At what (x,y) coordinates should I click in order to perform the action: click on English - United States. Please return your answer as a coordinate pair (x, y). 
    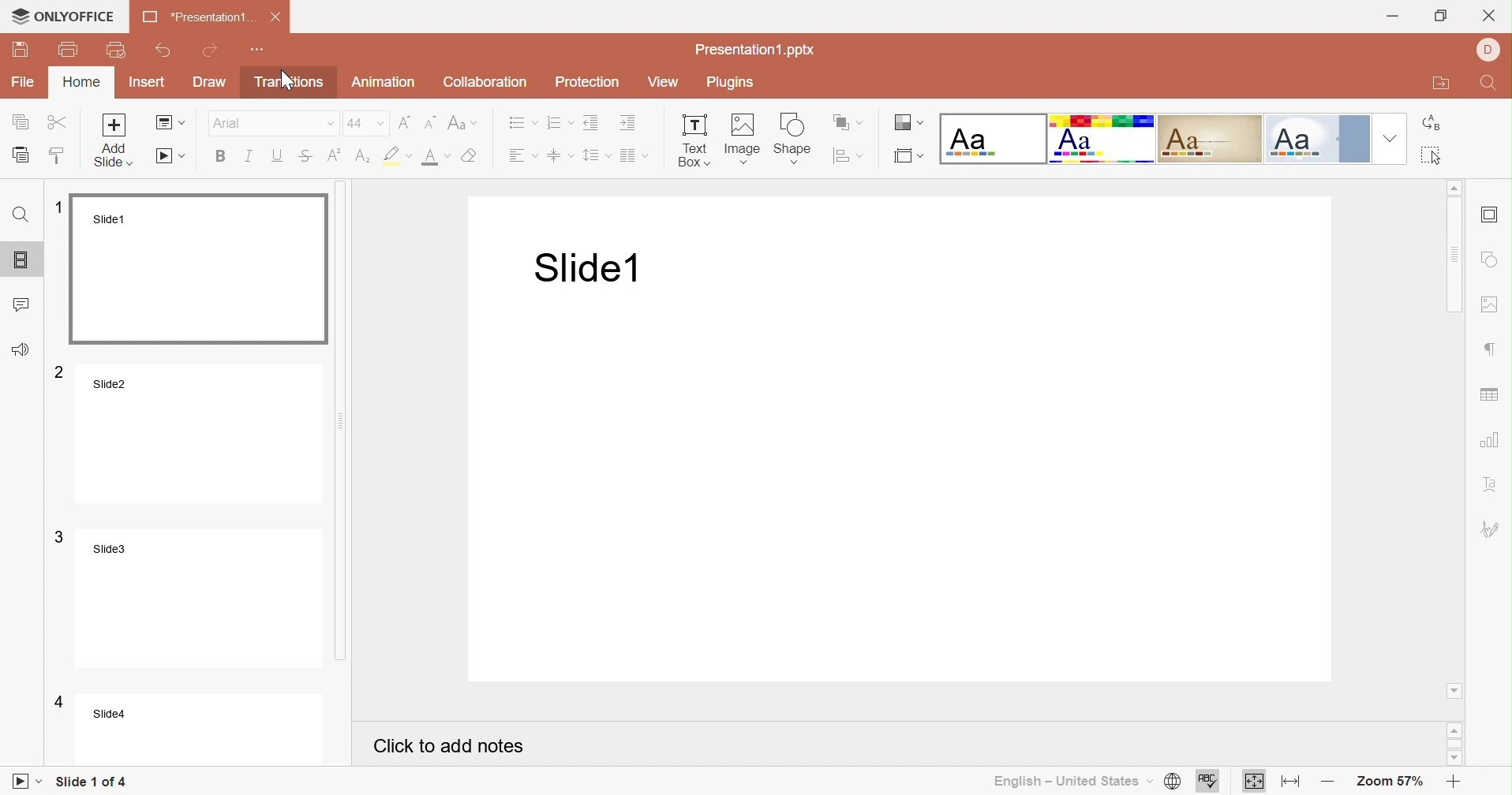
    Looking at the image, I should click on (1074, 782).